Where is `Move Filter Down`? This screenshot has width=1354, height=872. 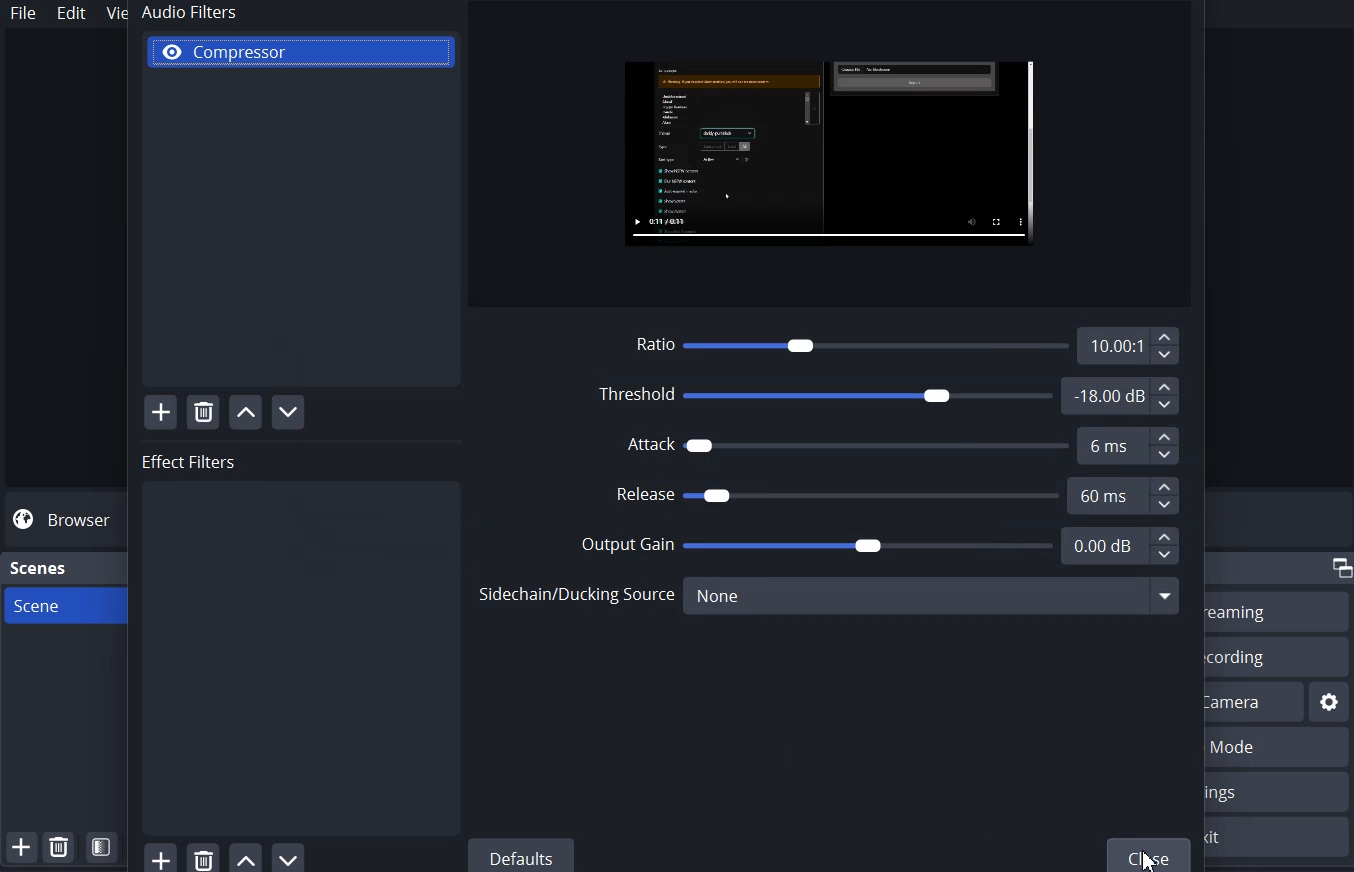
Move Filter Down is located at coordinates (291, 412).